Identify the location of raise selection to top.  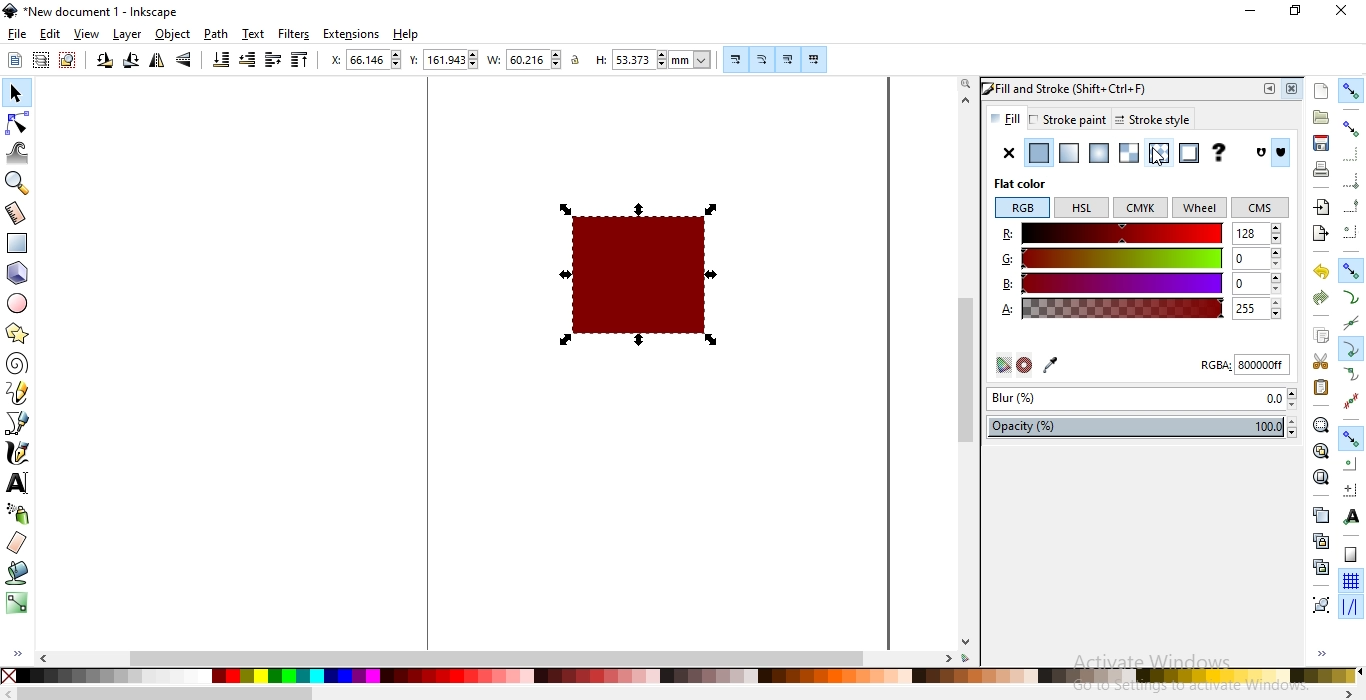
(297, 61).